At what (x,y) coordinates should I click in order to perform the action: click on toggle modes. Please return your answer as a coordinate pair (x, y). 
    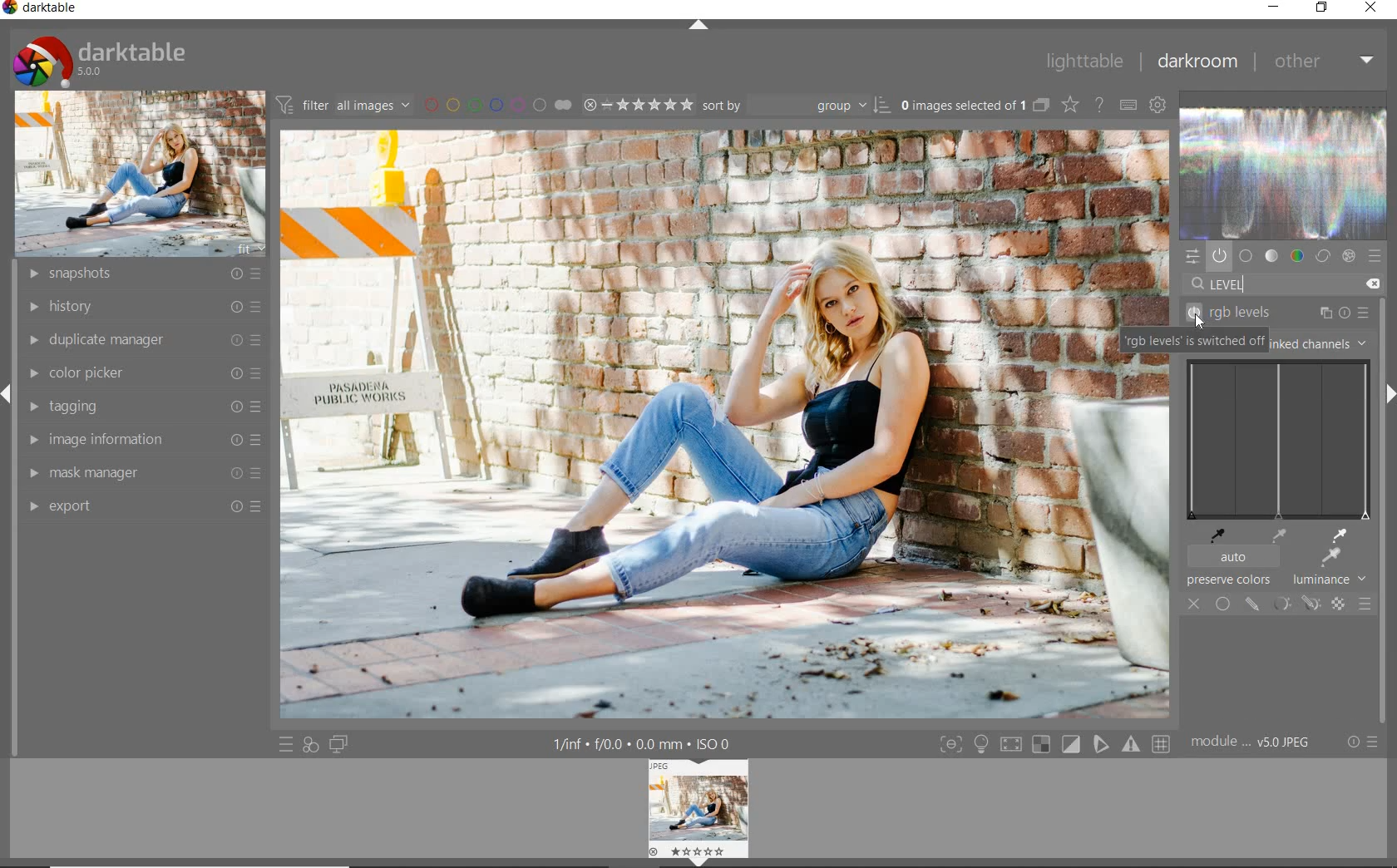
    Looking at the image, I should click on (1051, 745).